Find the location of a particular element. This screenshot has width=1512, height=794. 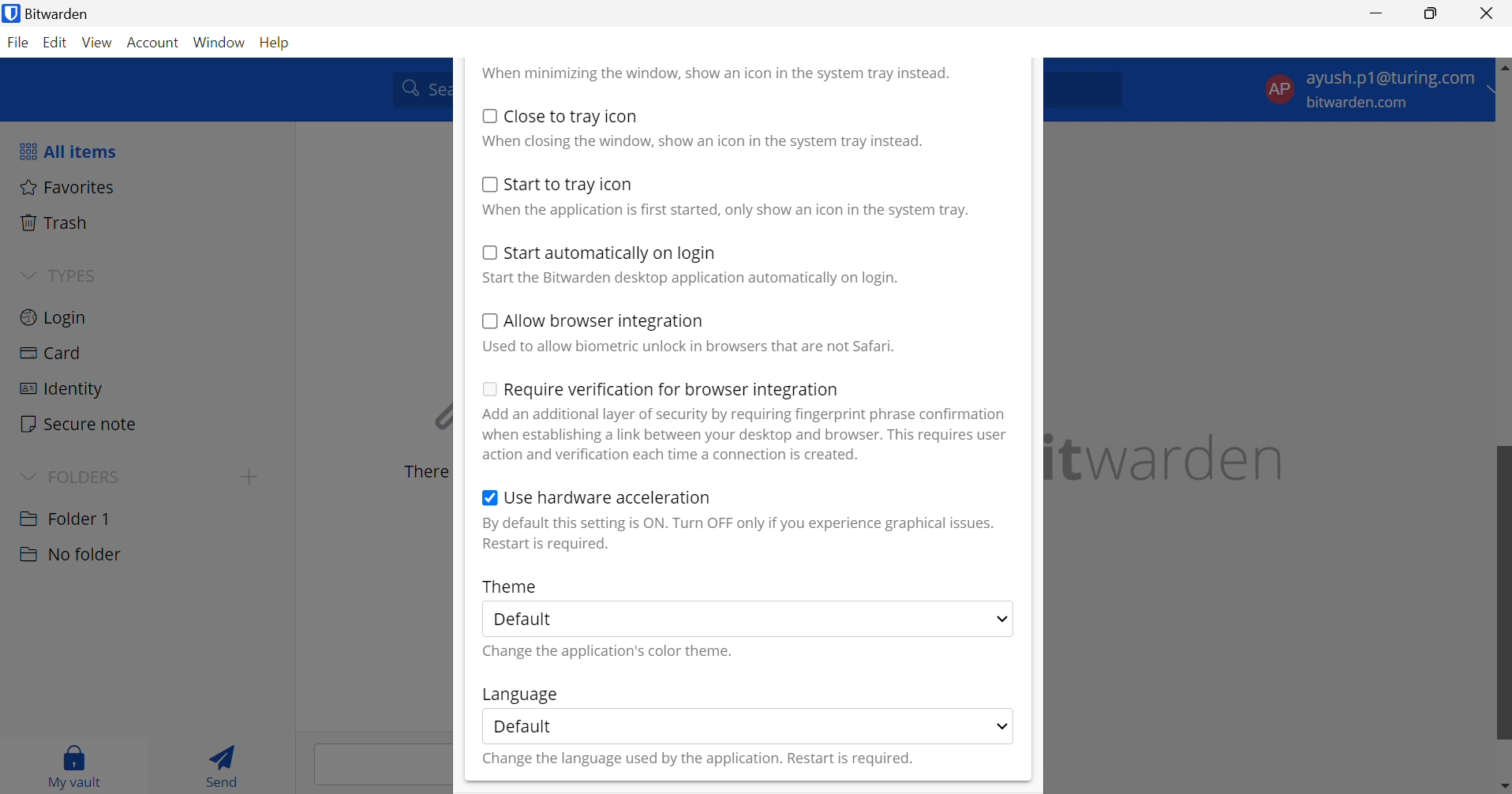

Bitwarden is located at coordinates (63, 13).